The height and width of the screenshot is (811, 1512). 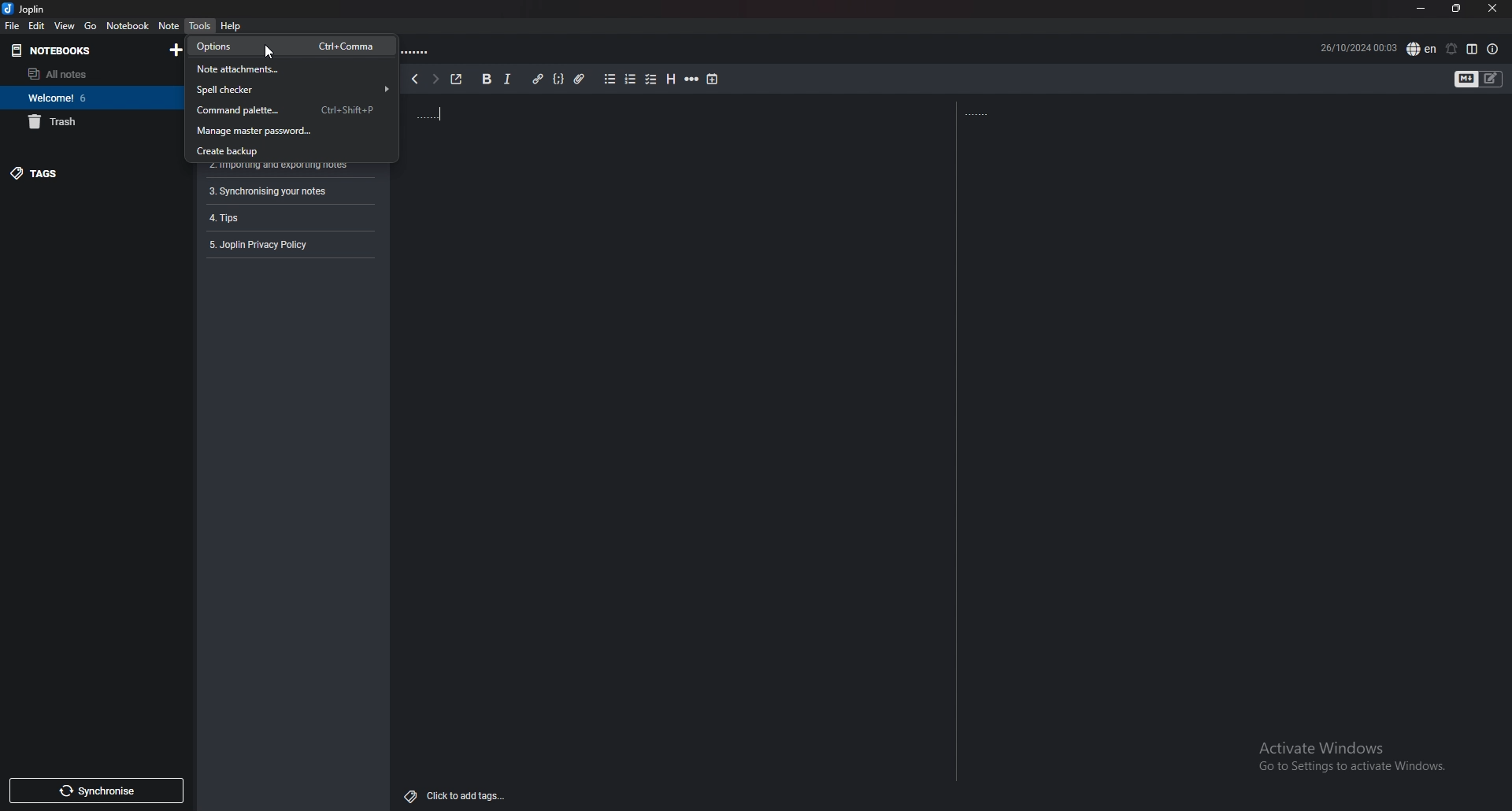 I want to click on ......., so click(x=986, y=113).